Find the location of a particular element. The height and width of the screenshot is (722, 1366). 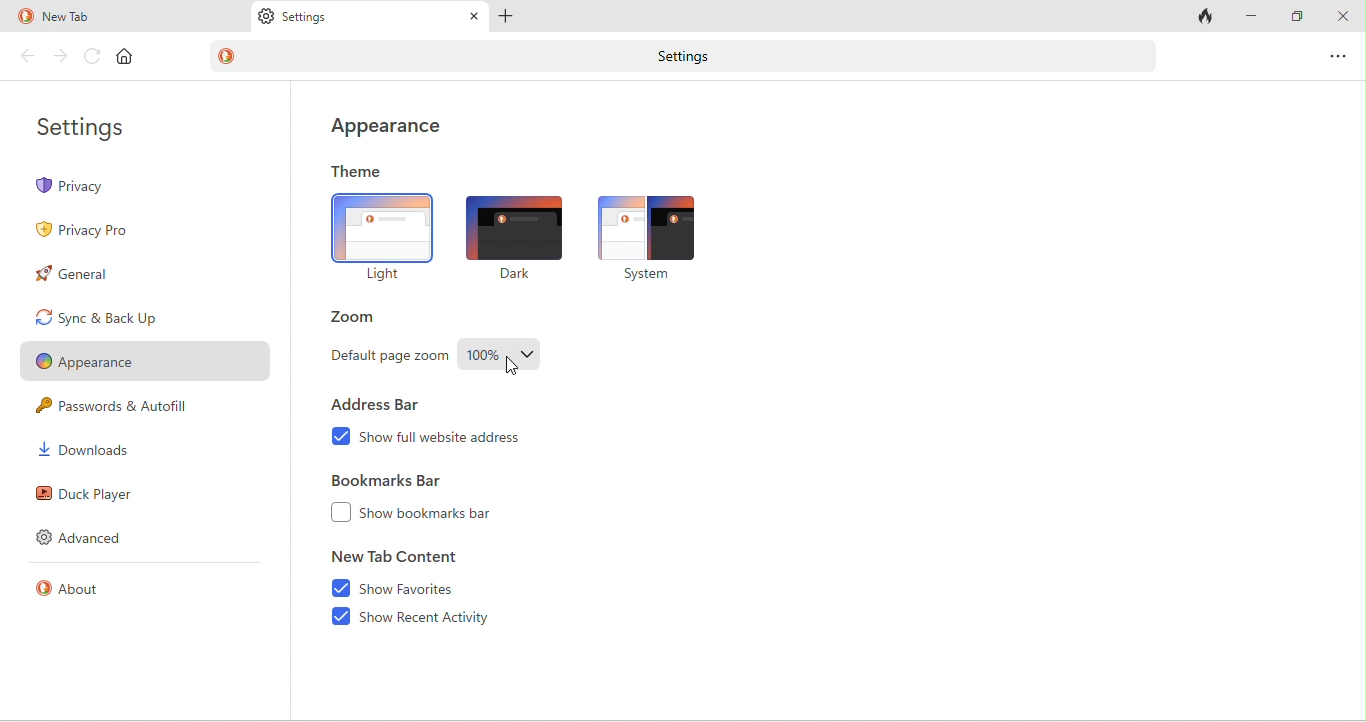

enable checkbox is located at coordinates (340, 434).